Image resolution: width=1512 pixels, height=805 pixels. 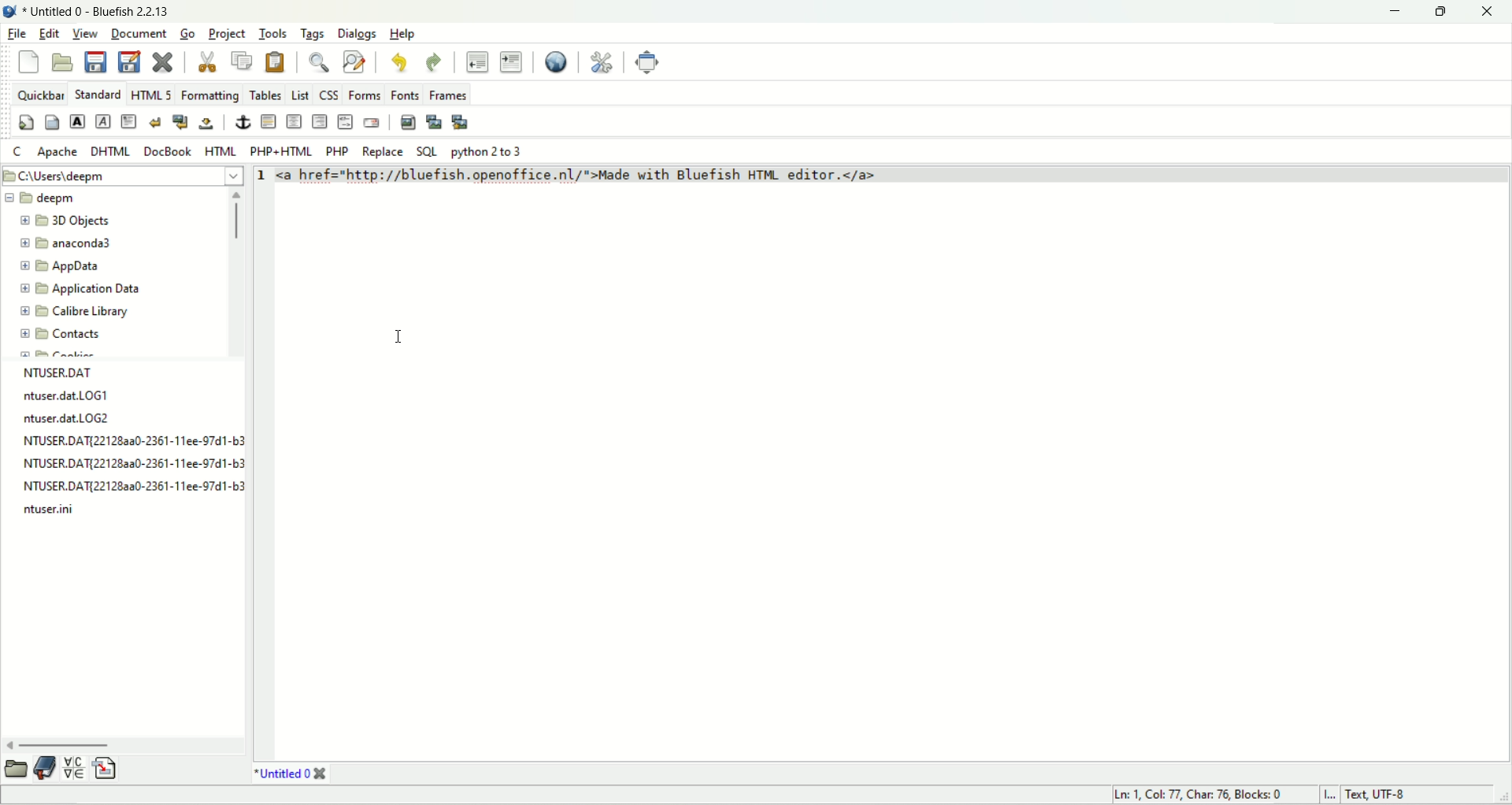 What do you see at coordinates (219, 151) in the screenshot?
I see `HTML` at bounding box center [219, 151].